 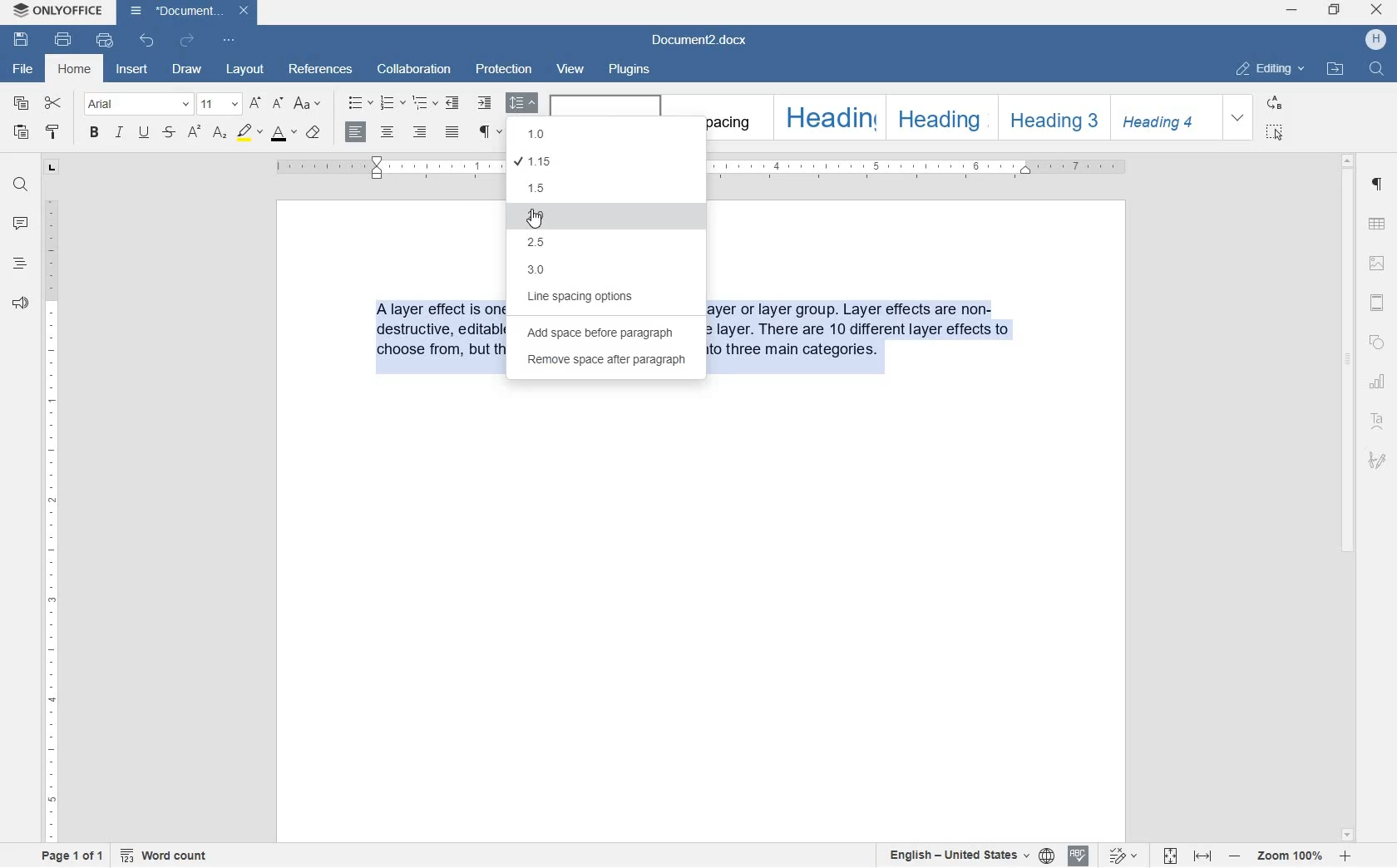 I want to click on copy style, so click(x=53, y=133).